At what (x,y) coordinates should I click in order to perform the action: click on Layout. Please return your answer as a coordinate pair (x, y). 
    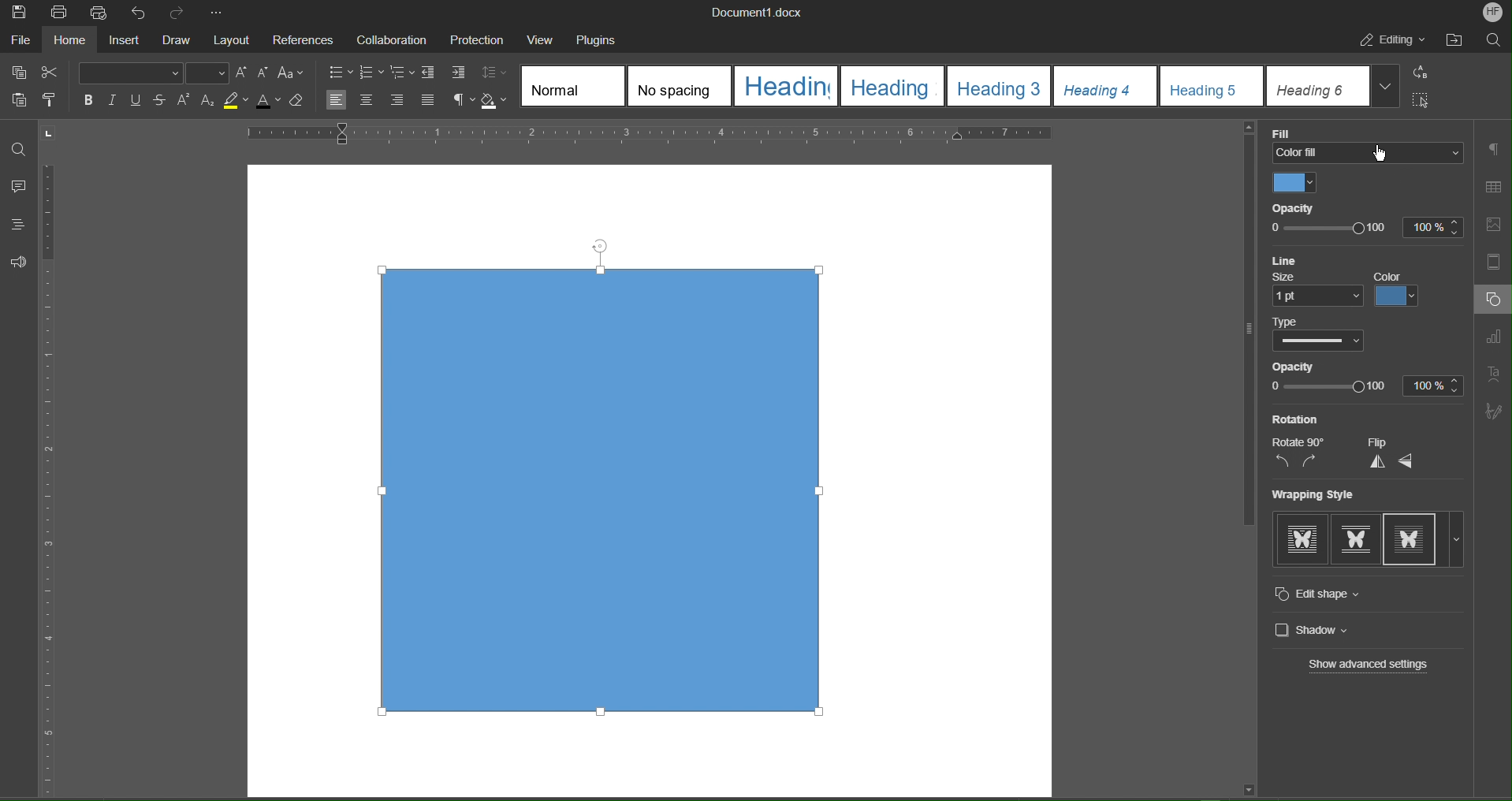
    Looking at the image, I should click on (234, 38).